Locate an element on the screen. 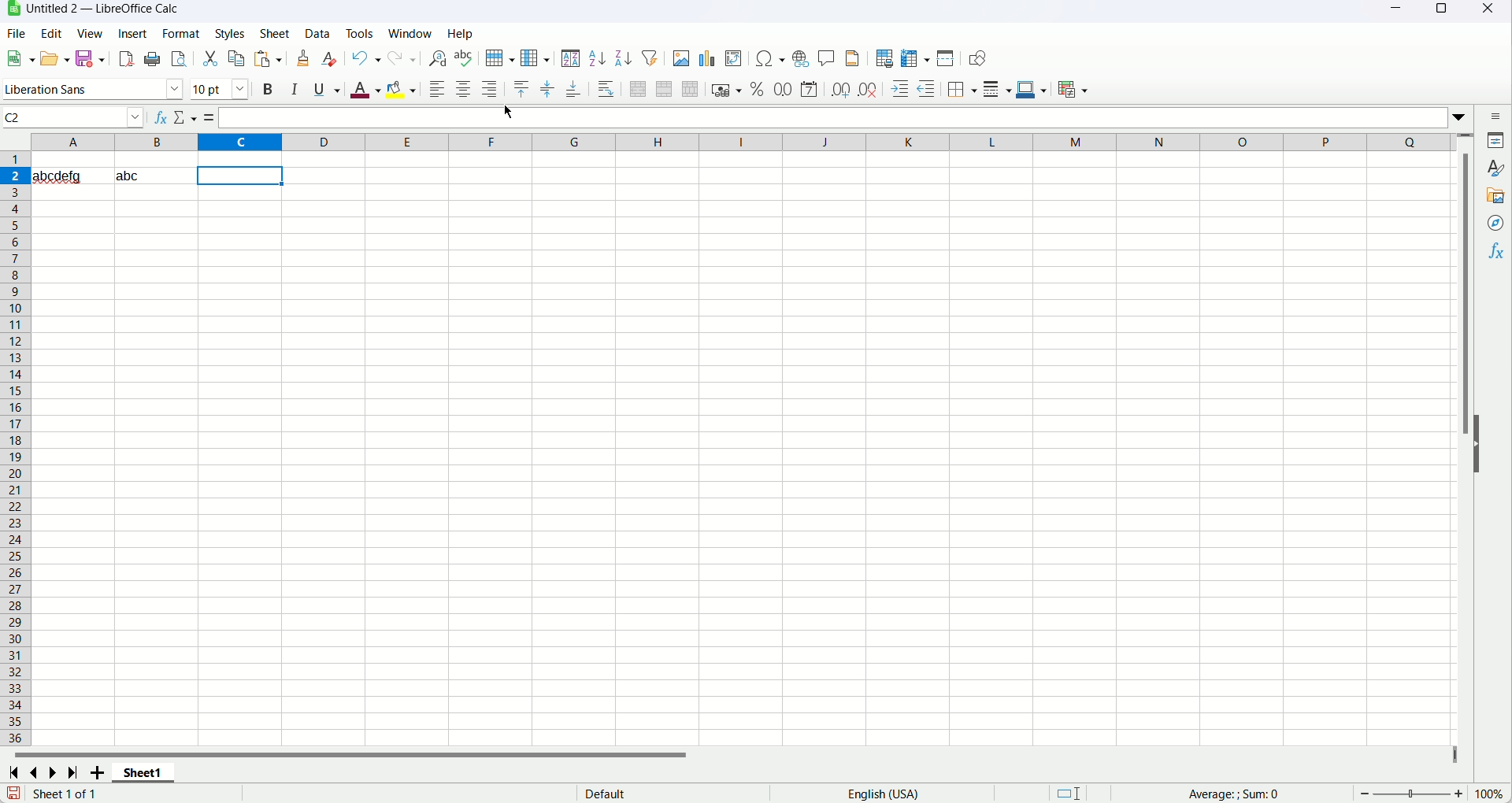 Image resolution: width=1512 pixels, height=803 pixels. scroll to next page is located at coordinates (54, 771).